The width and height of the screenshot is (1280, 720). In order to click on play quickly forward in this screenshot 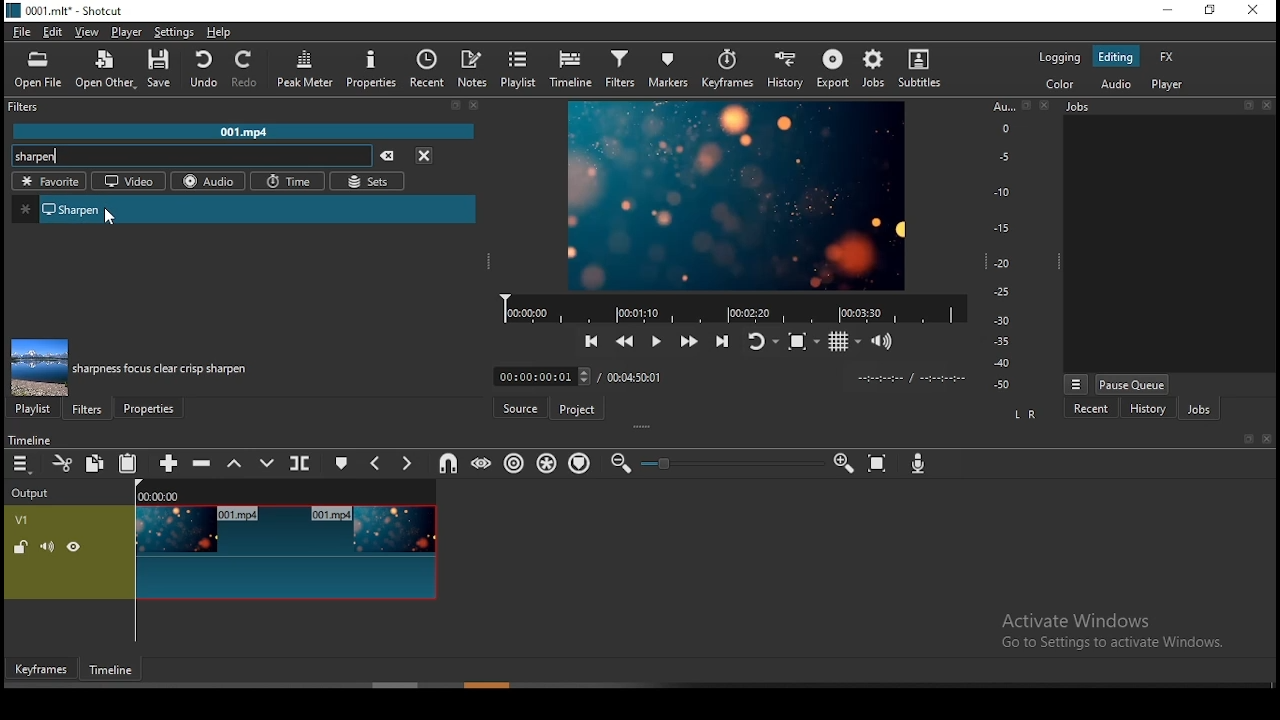, I will do `click(690, 338)`.